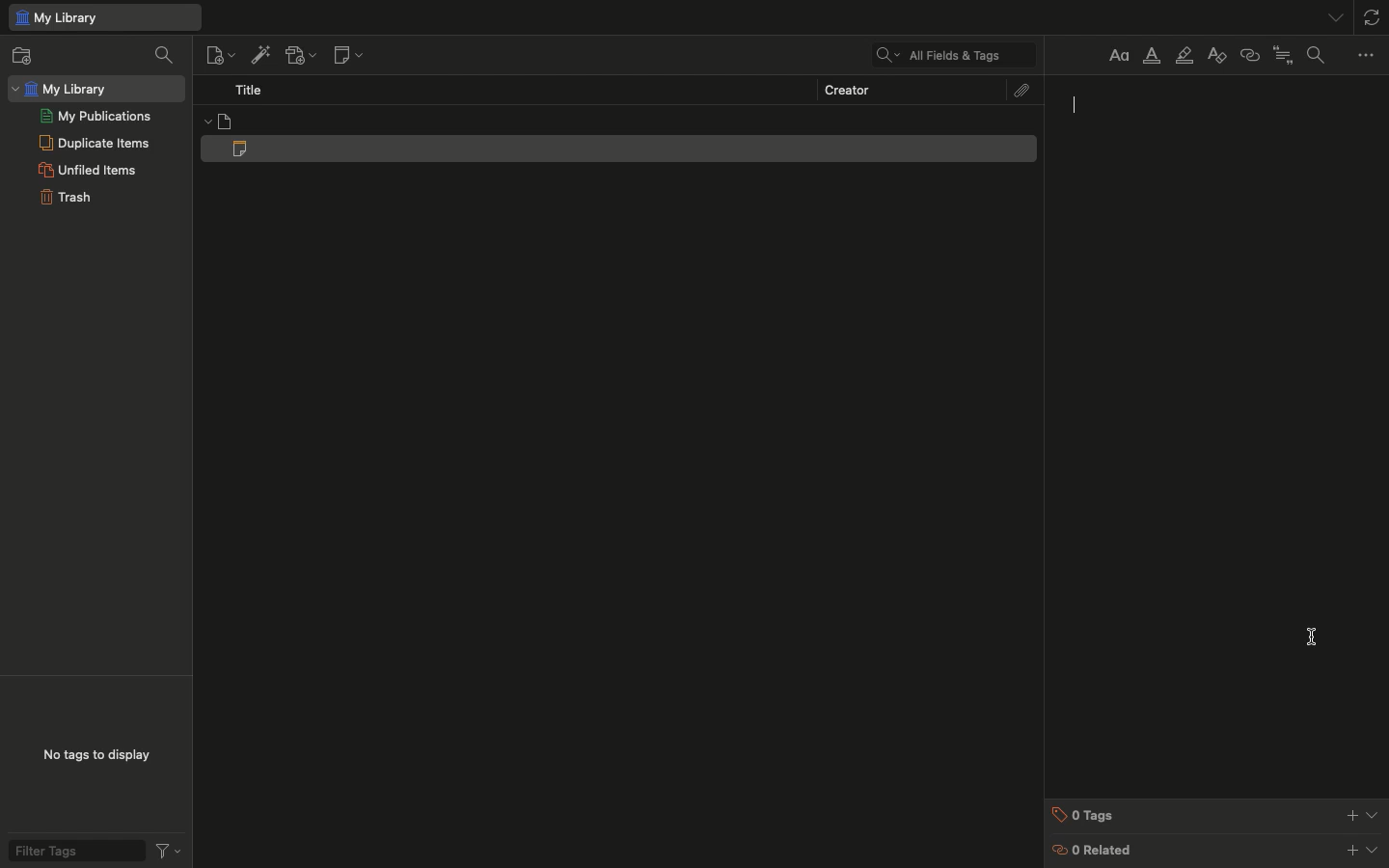 This screenshot has width=1389, height=868. Describe the element at coordinates (618, 121) in the screenshot. I see `Item` at that location.